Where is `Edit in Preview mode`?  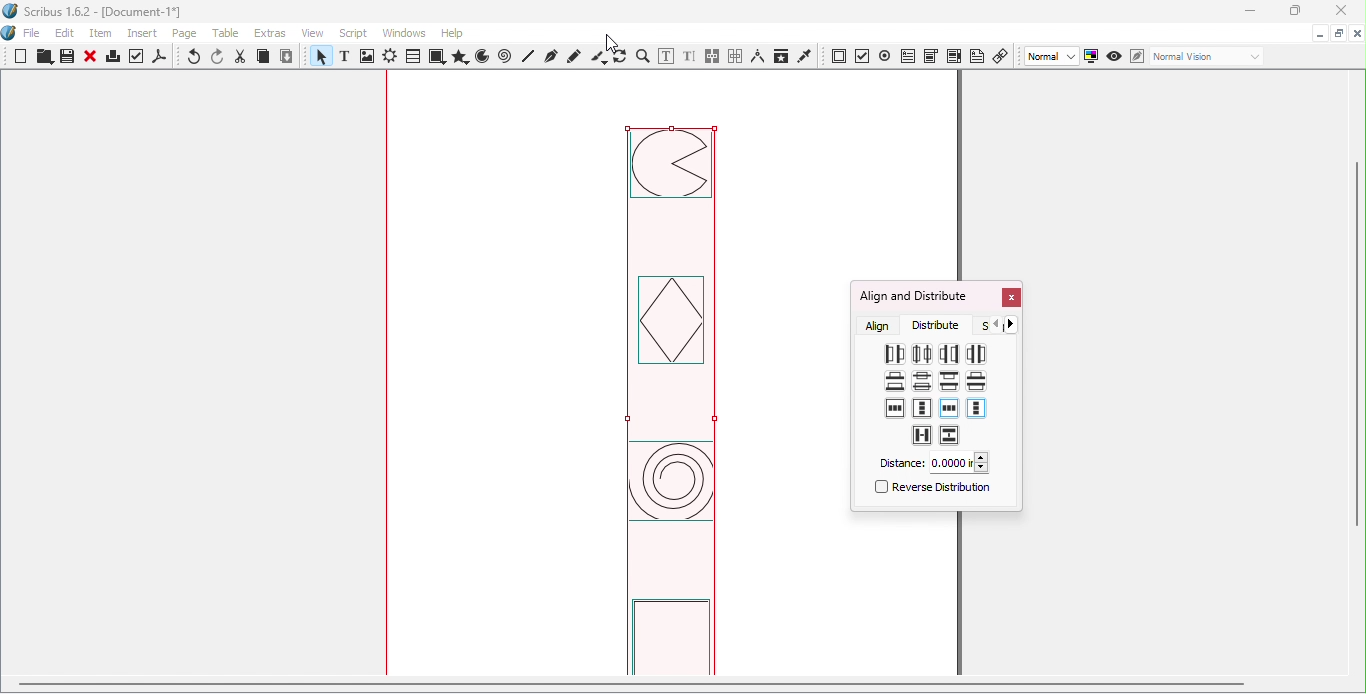 Edit in Preview mode is located at coordinates (1136, 55).